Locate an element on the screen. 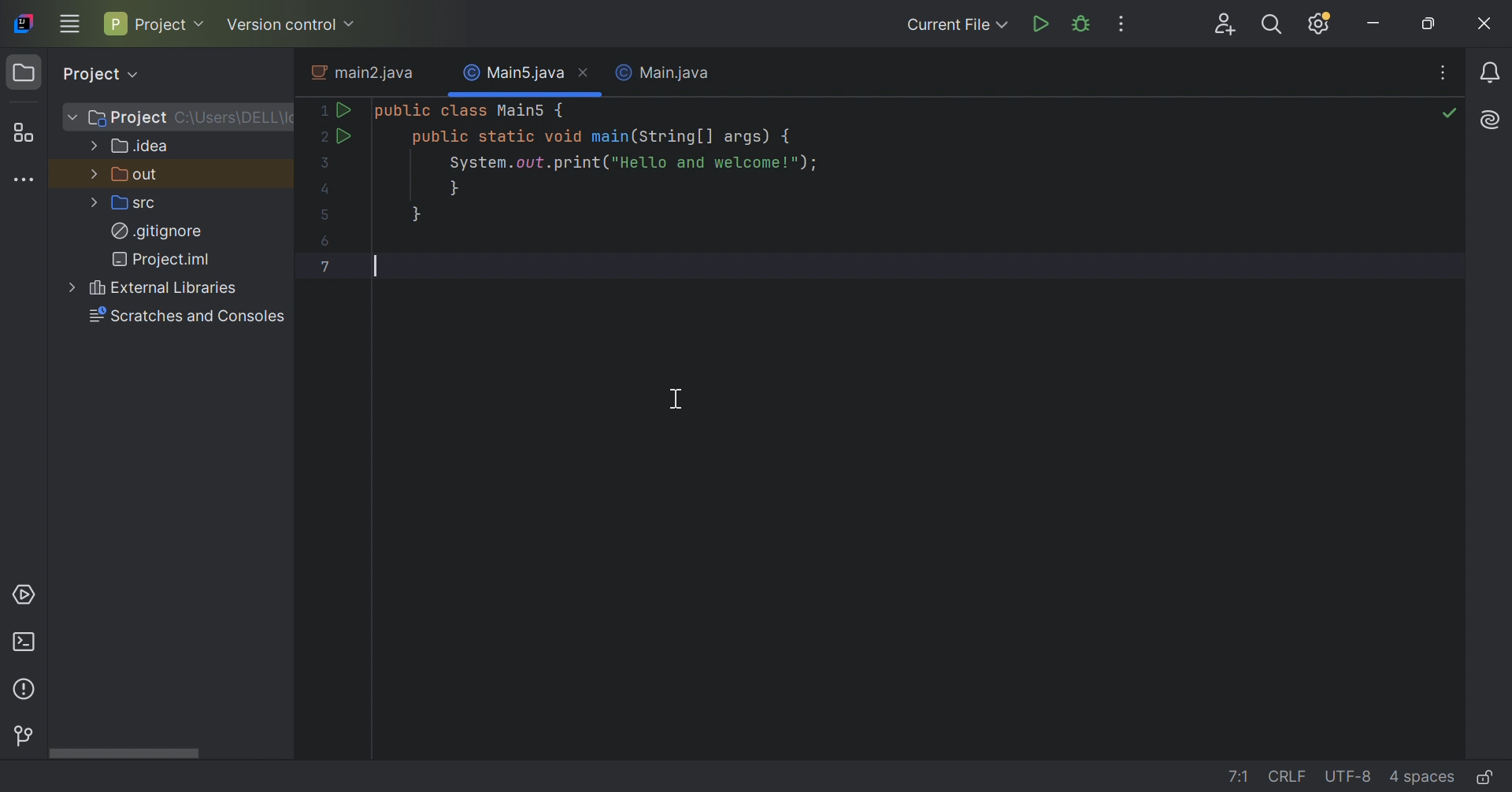 The width and height of the screenshot is (1512, 792). More is located at coordinates (69, 288).